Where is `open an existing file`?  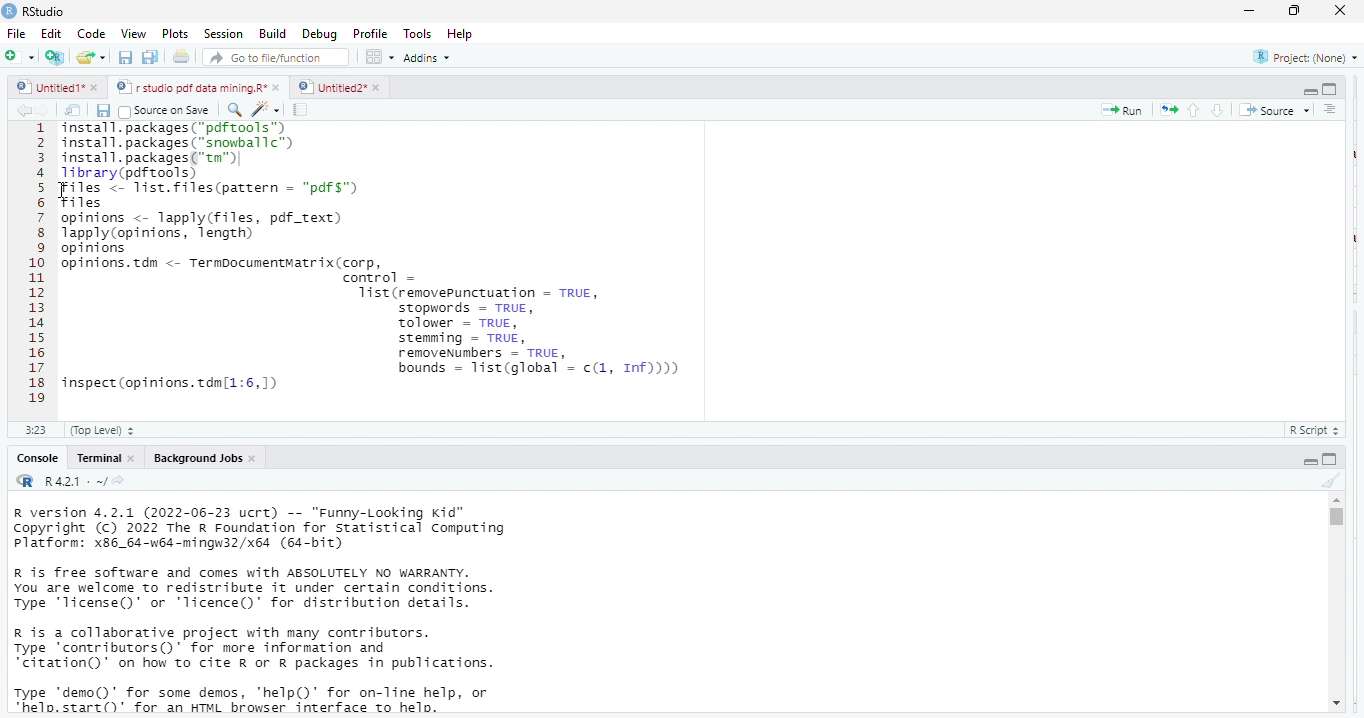
open an existing file is located at coordinates (92, 59).